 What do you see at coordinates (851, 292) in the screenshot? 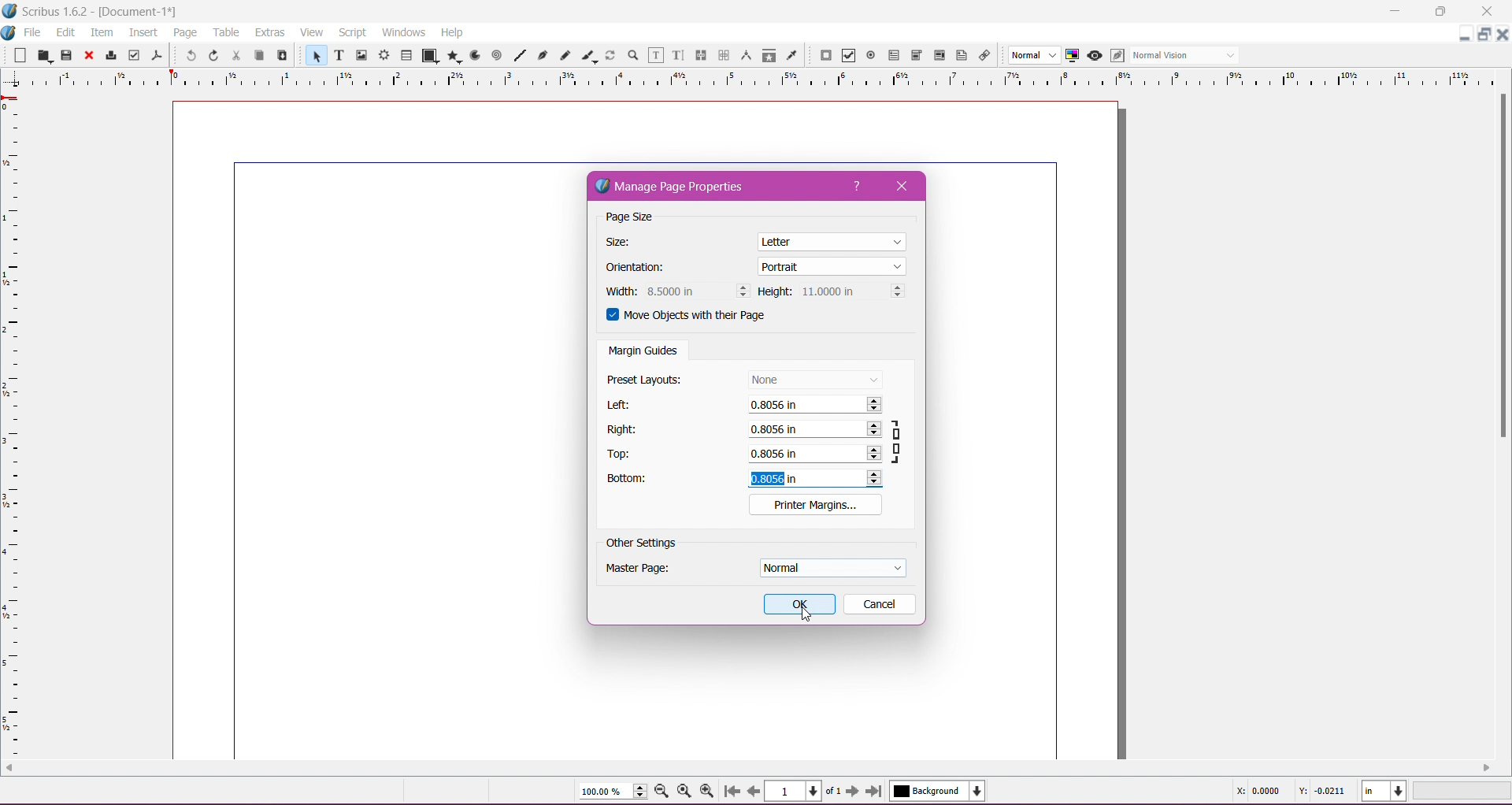
I see `Set Page Height` at bounding box center [851, 292].